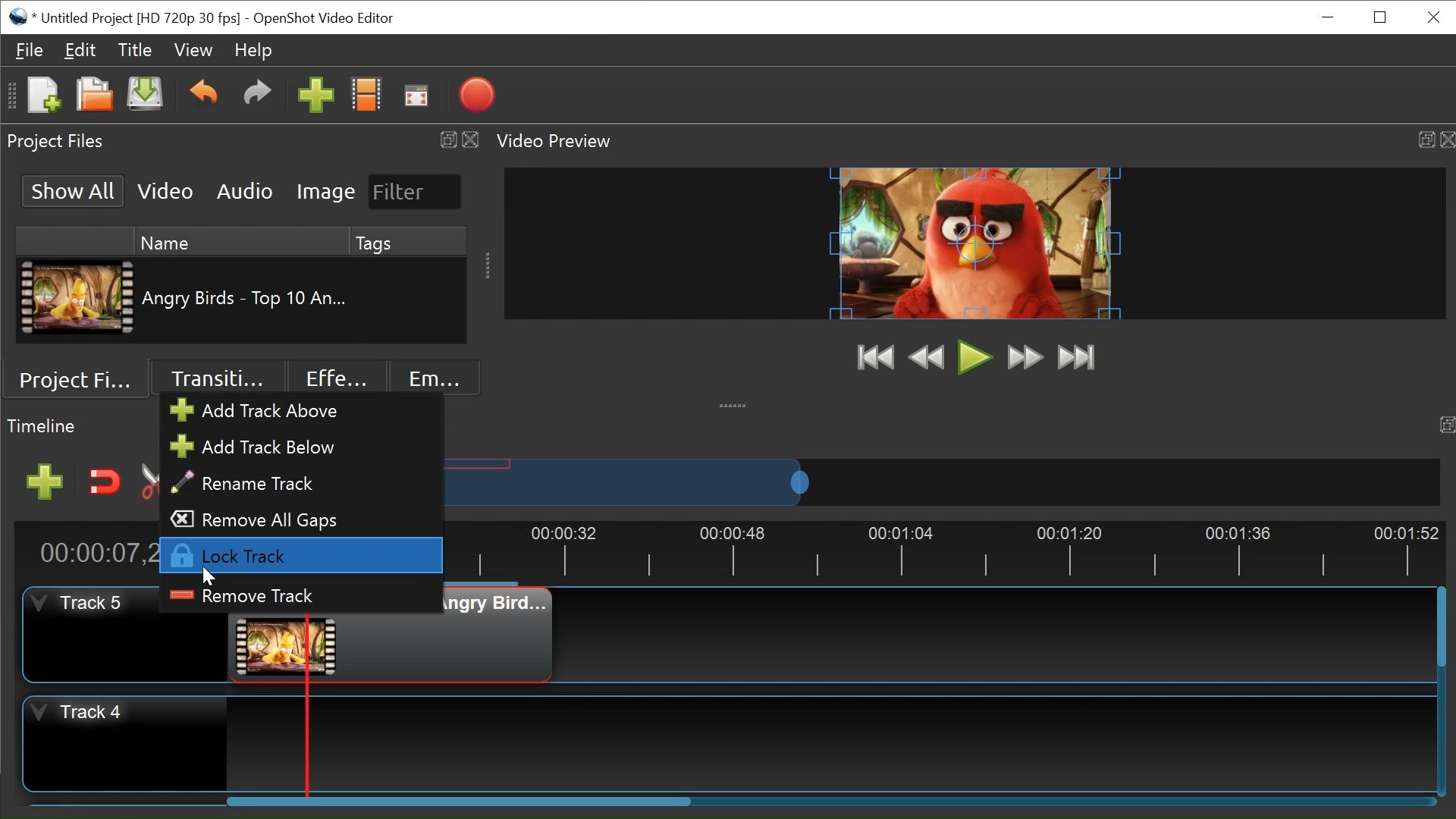  Describe the element at coordinates (1379, 19) in the screenshot. I see `Restore` at that location.